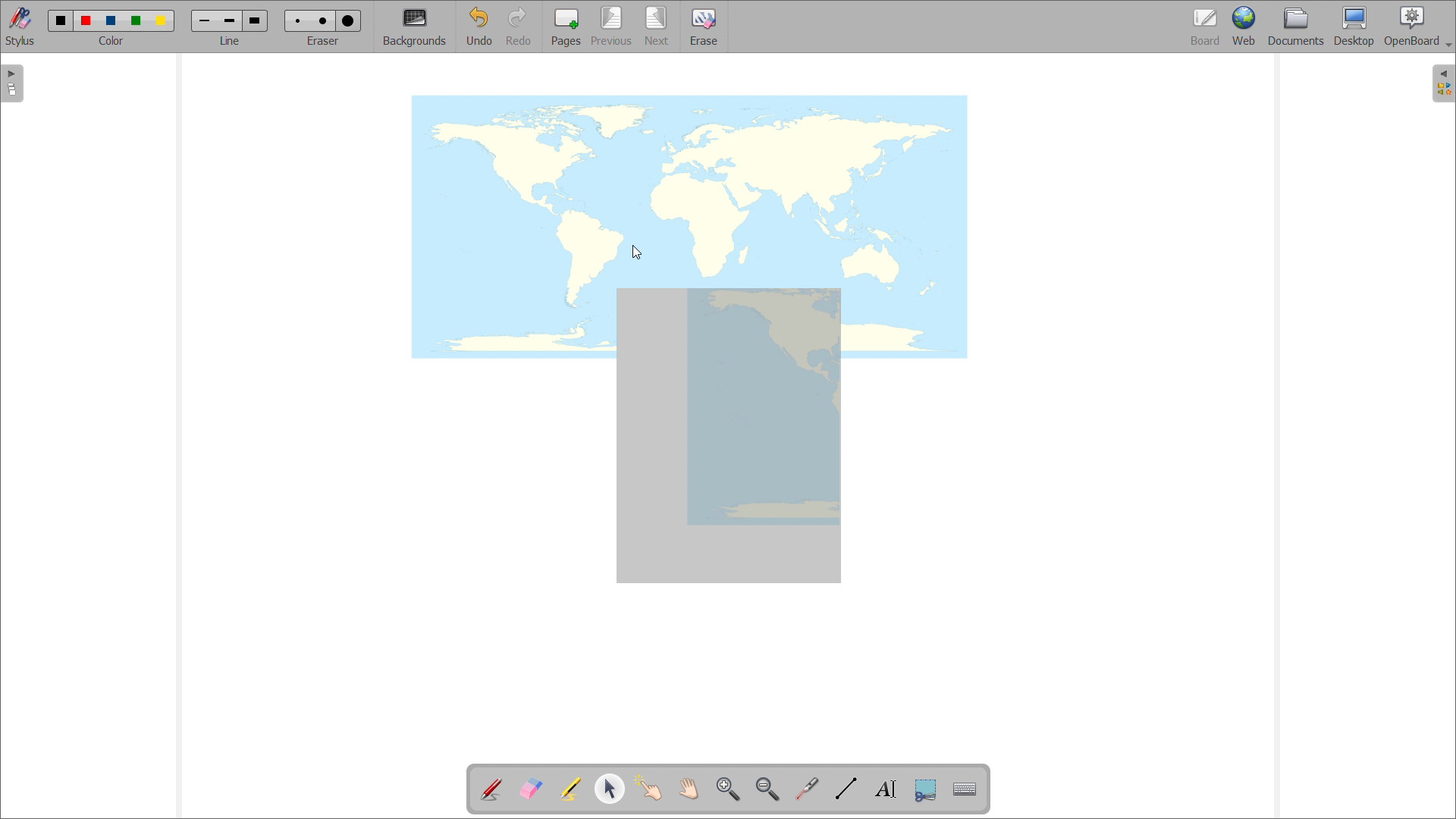 This screenshot has height=819, width=1456. I want to click on virtual keyboard, so click(965, 789).